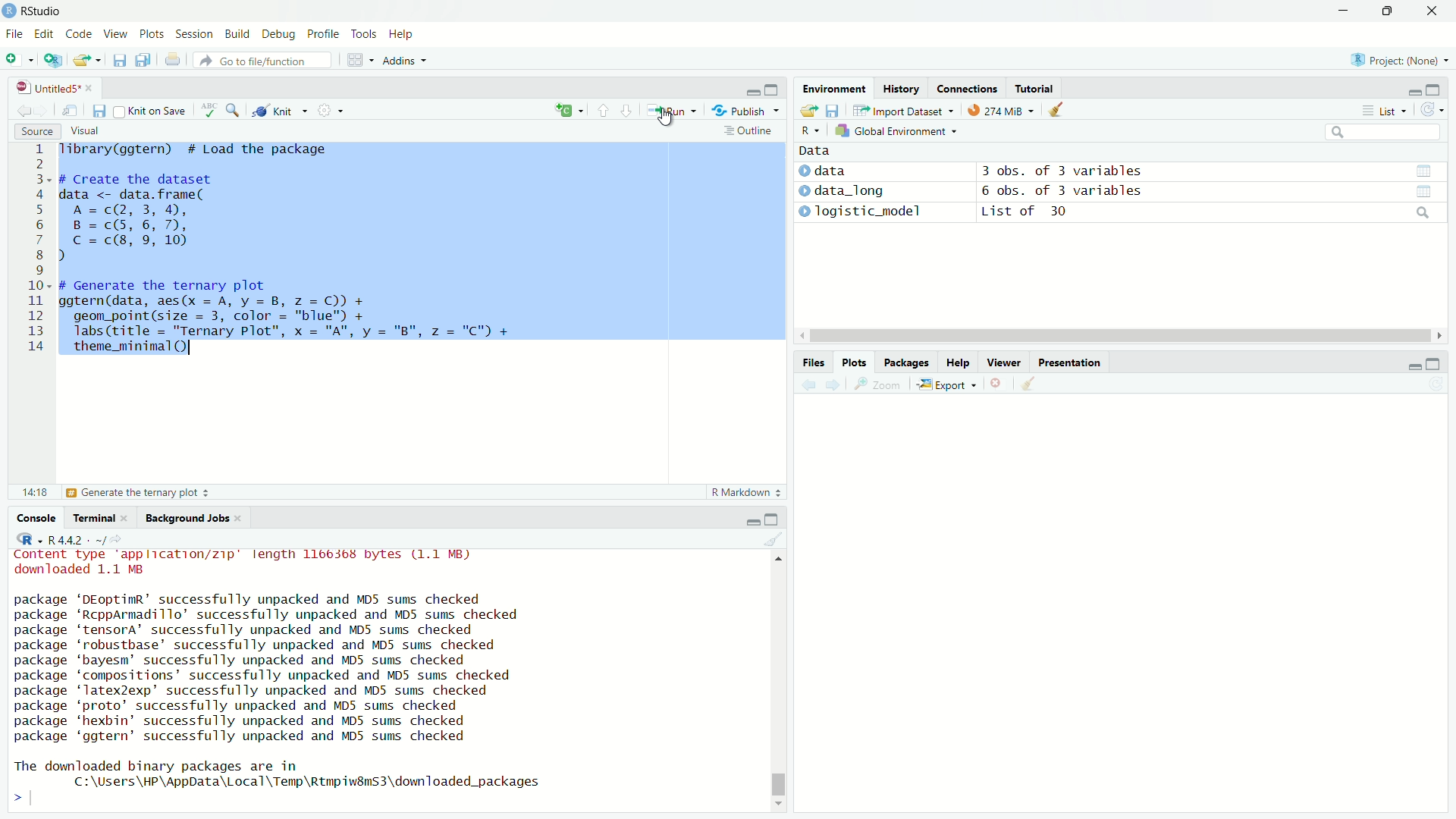 The height and width of the screenshot is (819, 1456). What do you see at coordinates (118, 63) in the screenshot?
I see `save` at bounding box center [118, 63].